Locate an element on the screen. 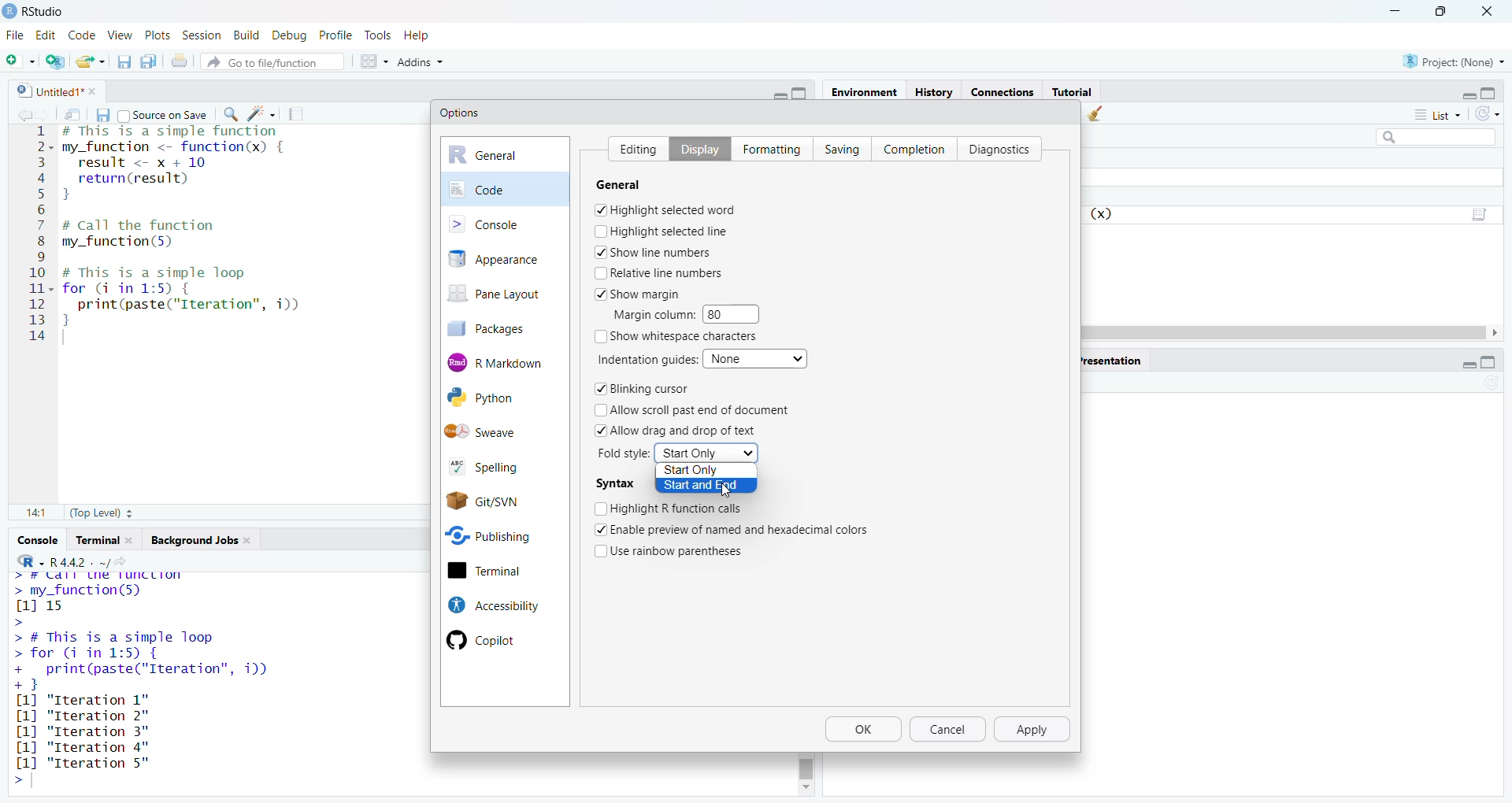  General is located at coordinates (631, 184).